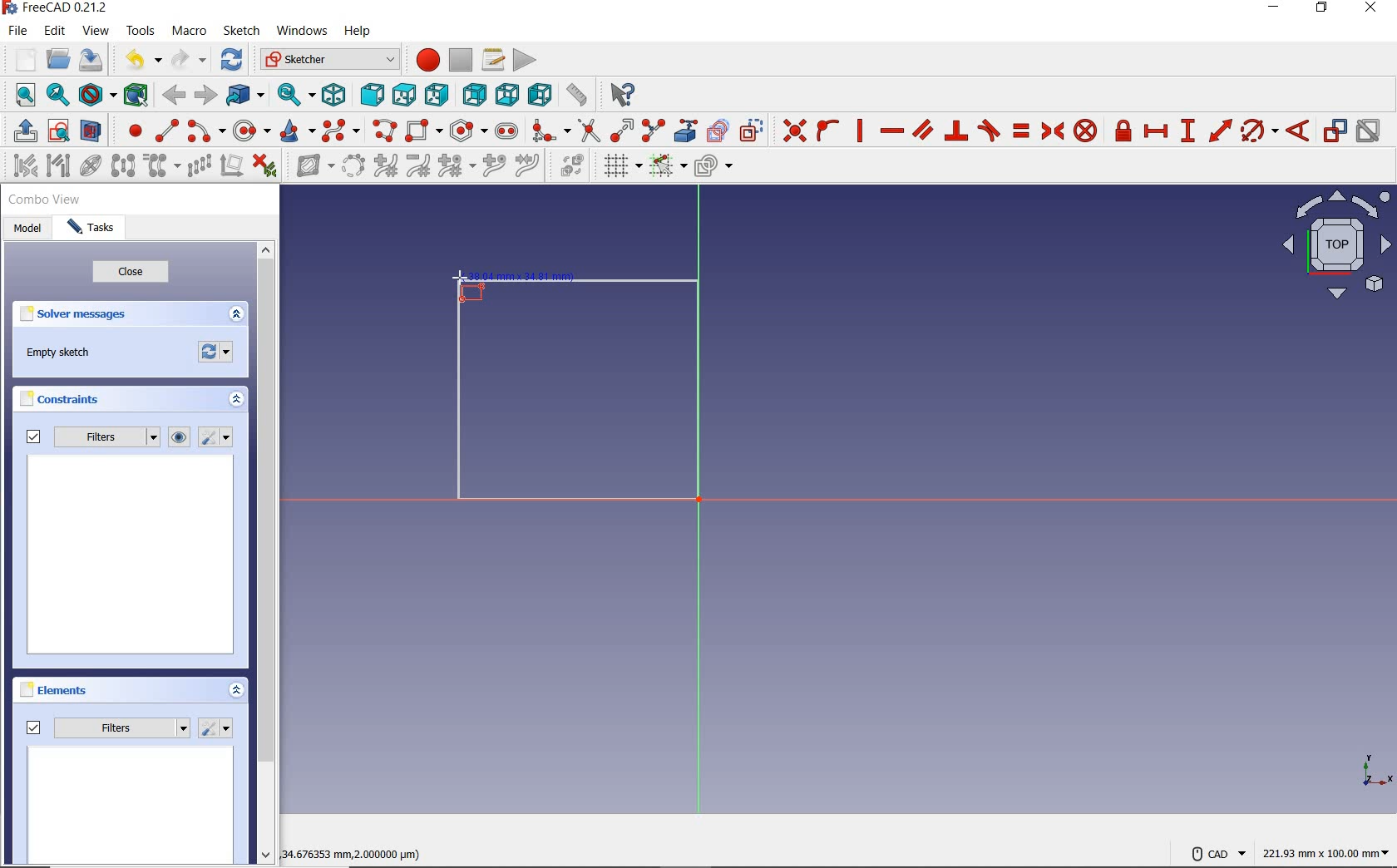  What do you see at coordinates (101, 315) in the screenshot?
I see `solver messages` at bounding box center [101, 315].